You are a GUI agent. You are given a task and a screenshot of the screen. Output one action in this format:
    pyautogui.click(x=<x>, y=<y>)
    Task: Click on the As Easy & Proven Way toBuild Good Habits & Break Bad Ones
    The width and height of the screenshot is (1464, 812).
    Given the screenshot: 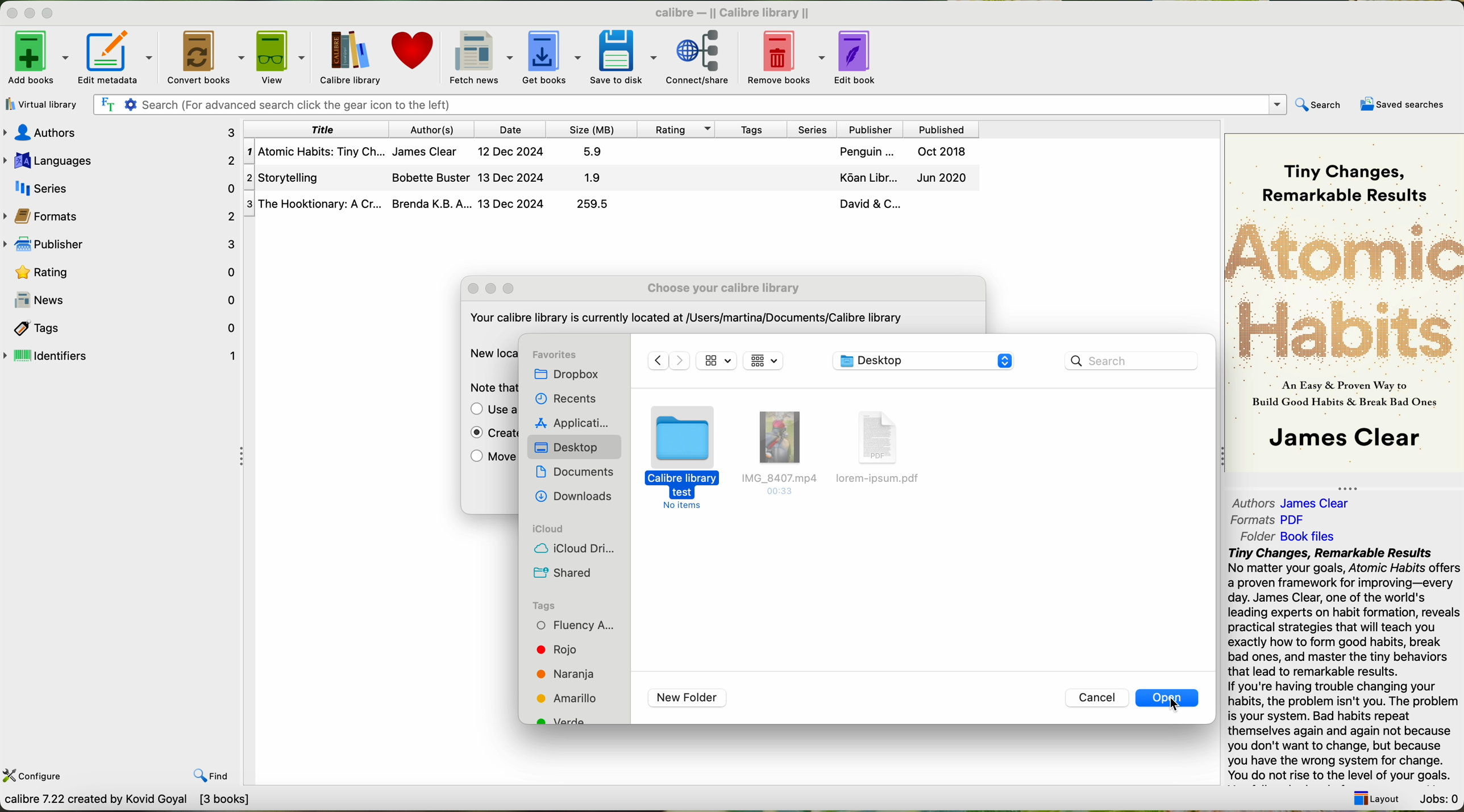 What is the action you would take?
    pyautogui.click(x=1338, y=395)
    